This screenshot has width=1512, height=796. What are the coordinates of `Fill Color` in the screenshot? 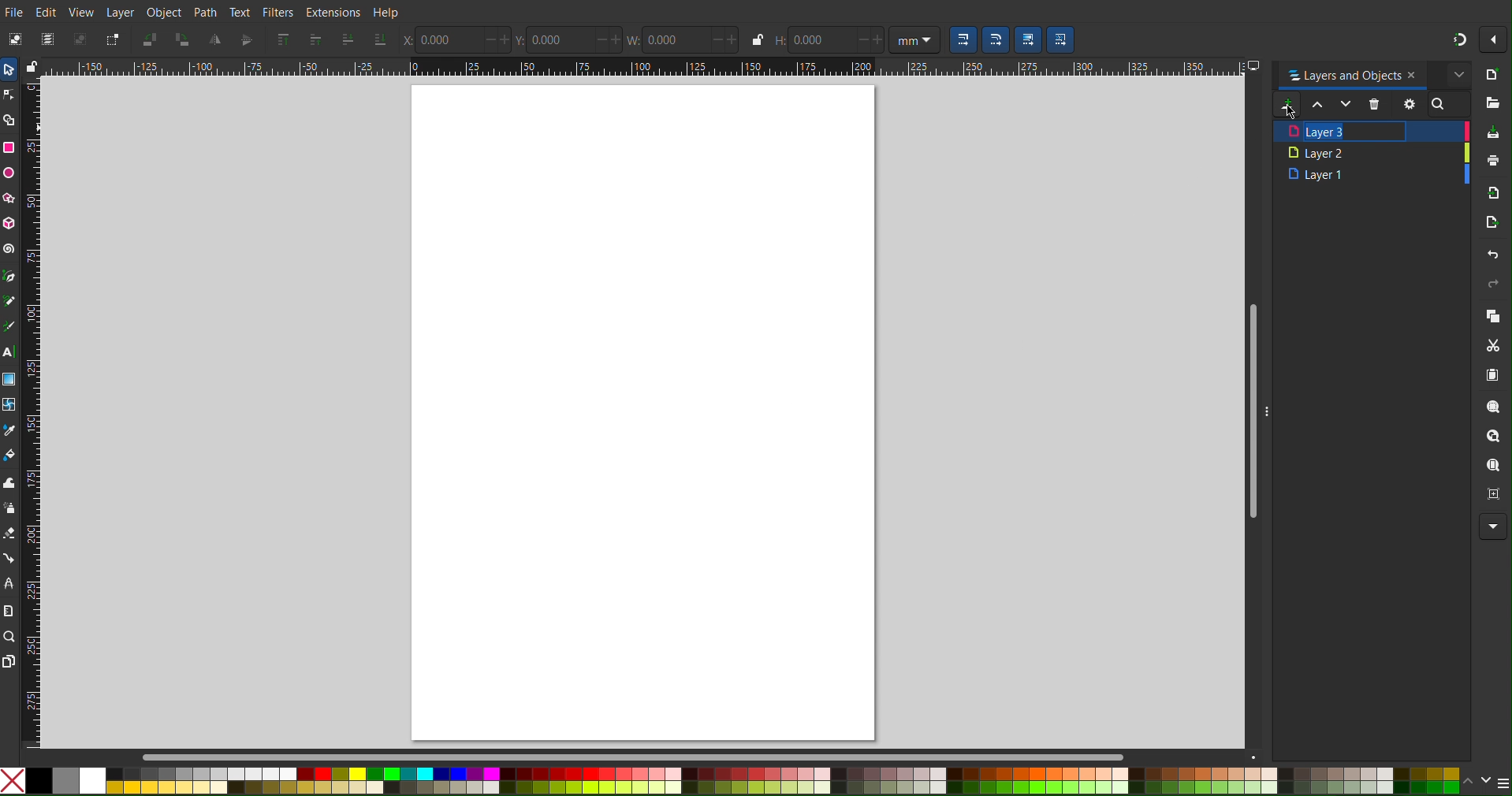 It's located at (13, 456).